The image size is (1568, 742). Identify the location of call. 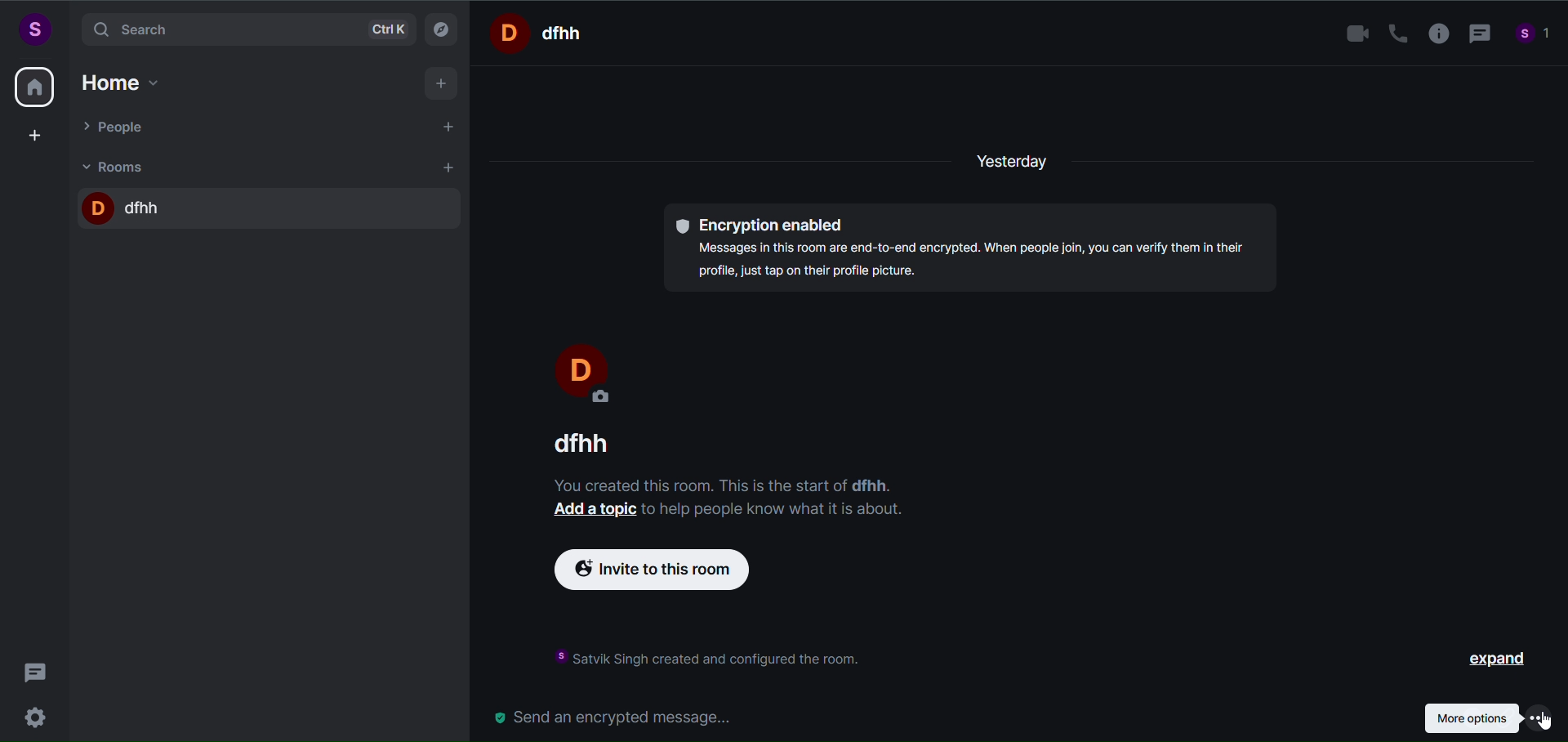
(1392, 34).